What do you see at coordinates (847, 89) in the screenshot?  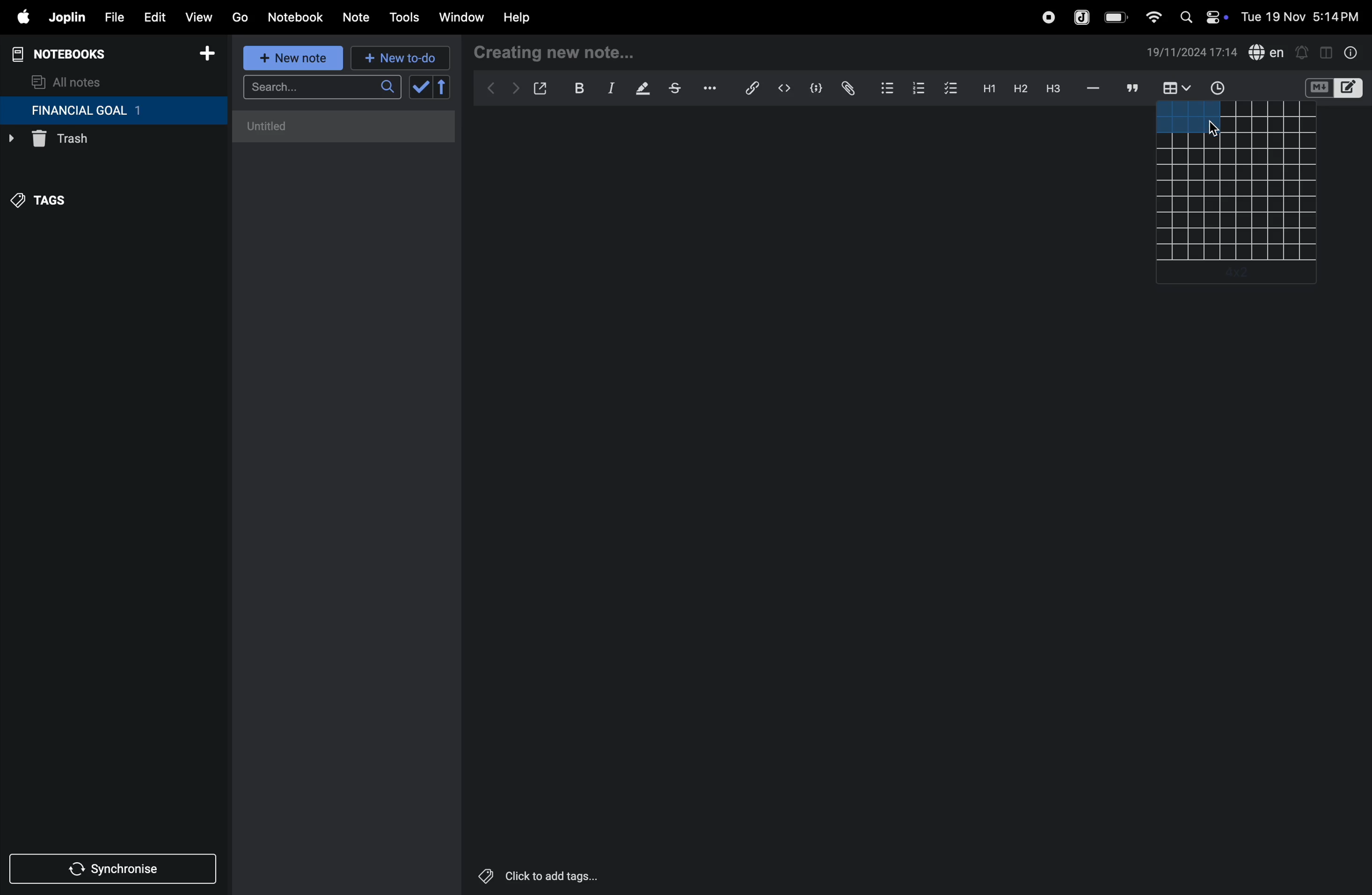 I see `attach file` at bounding box center [847, 89].